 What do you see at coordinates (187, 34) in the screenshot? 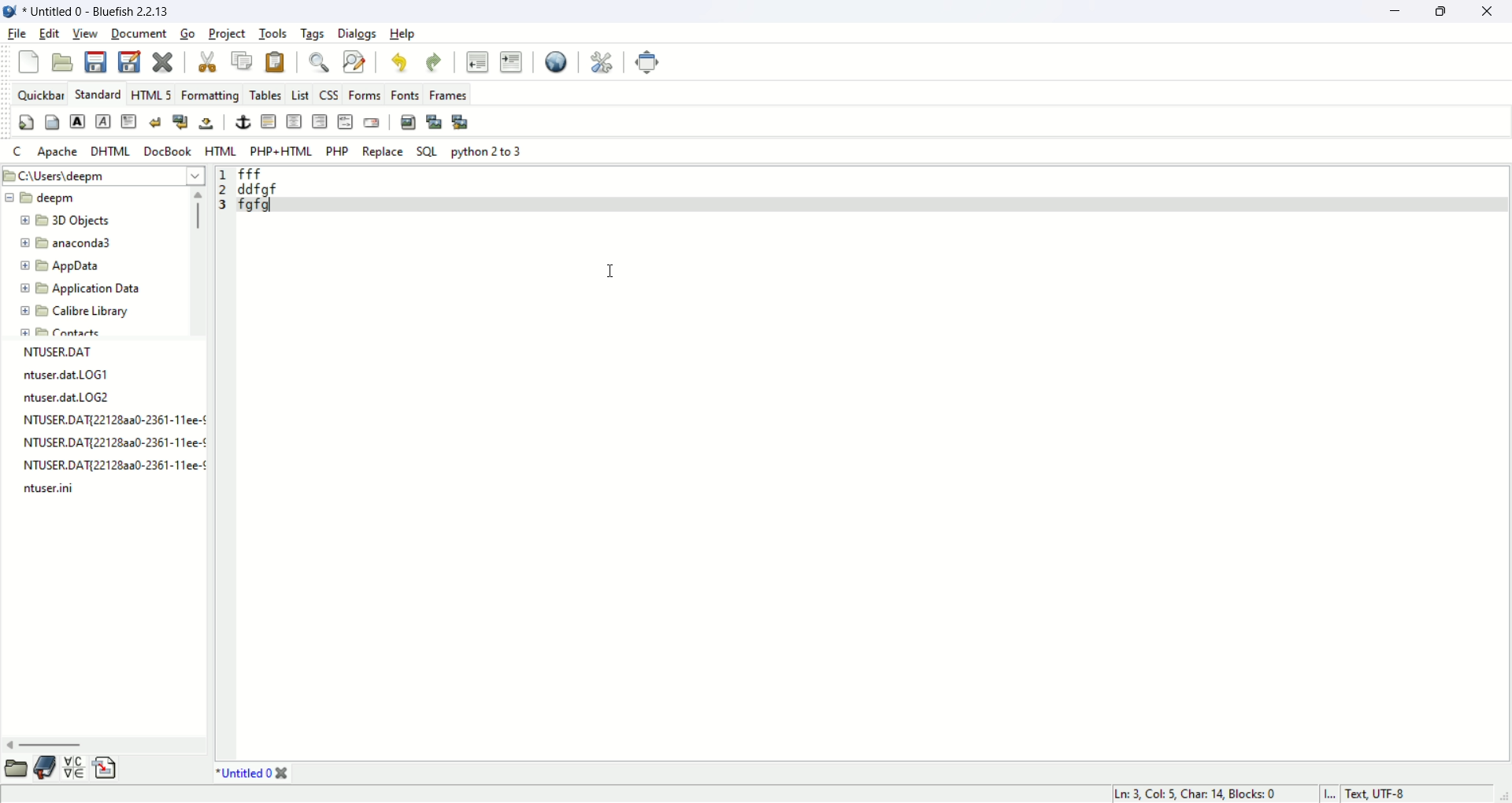
I see `go` at bounding box center [187, 34].